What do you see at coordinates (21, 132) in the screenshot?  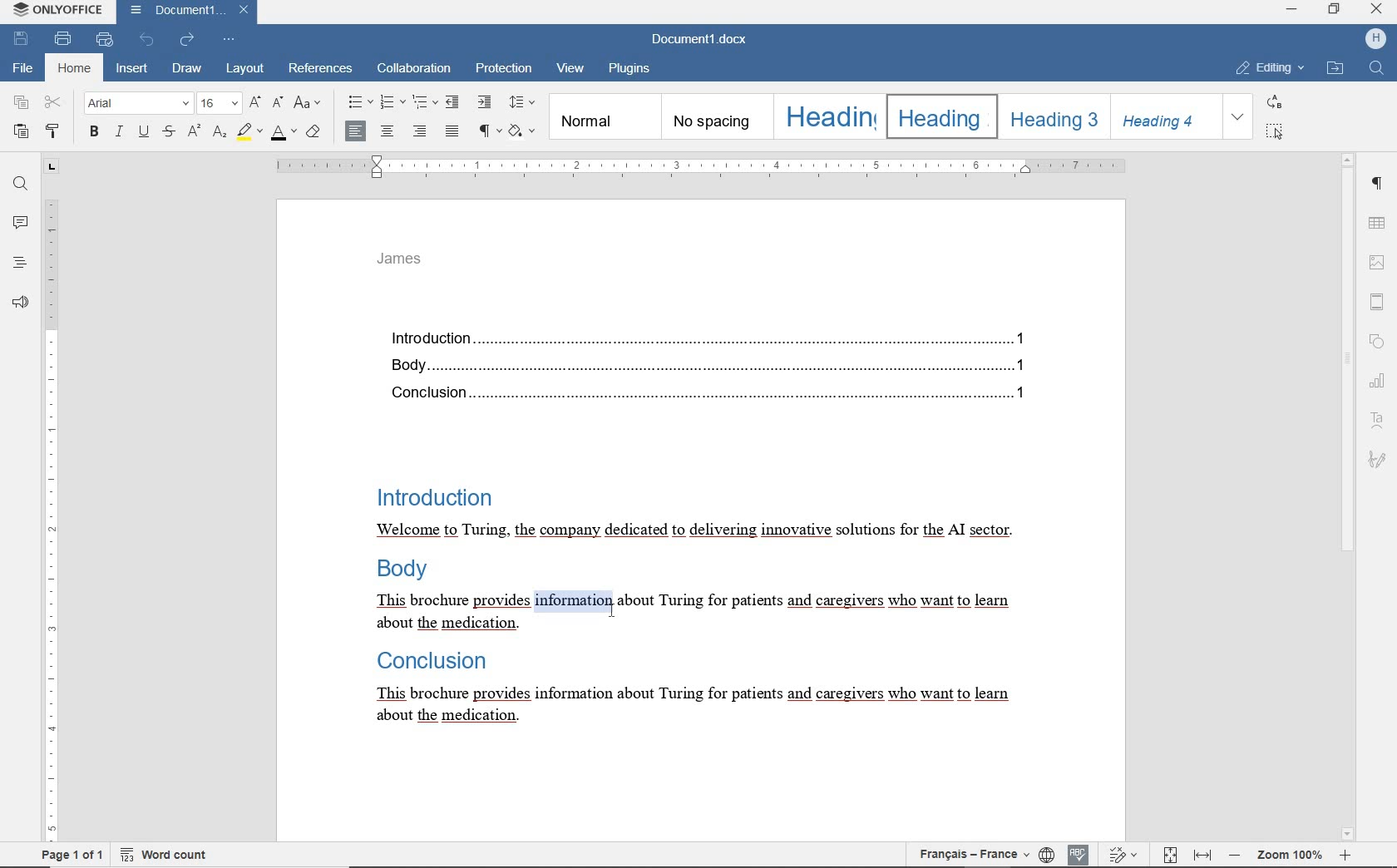 I see `PASTE` at bounding box center [21, 132].